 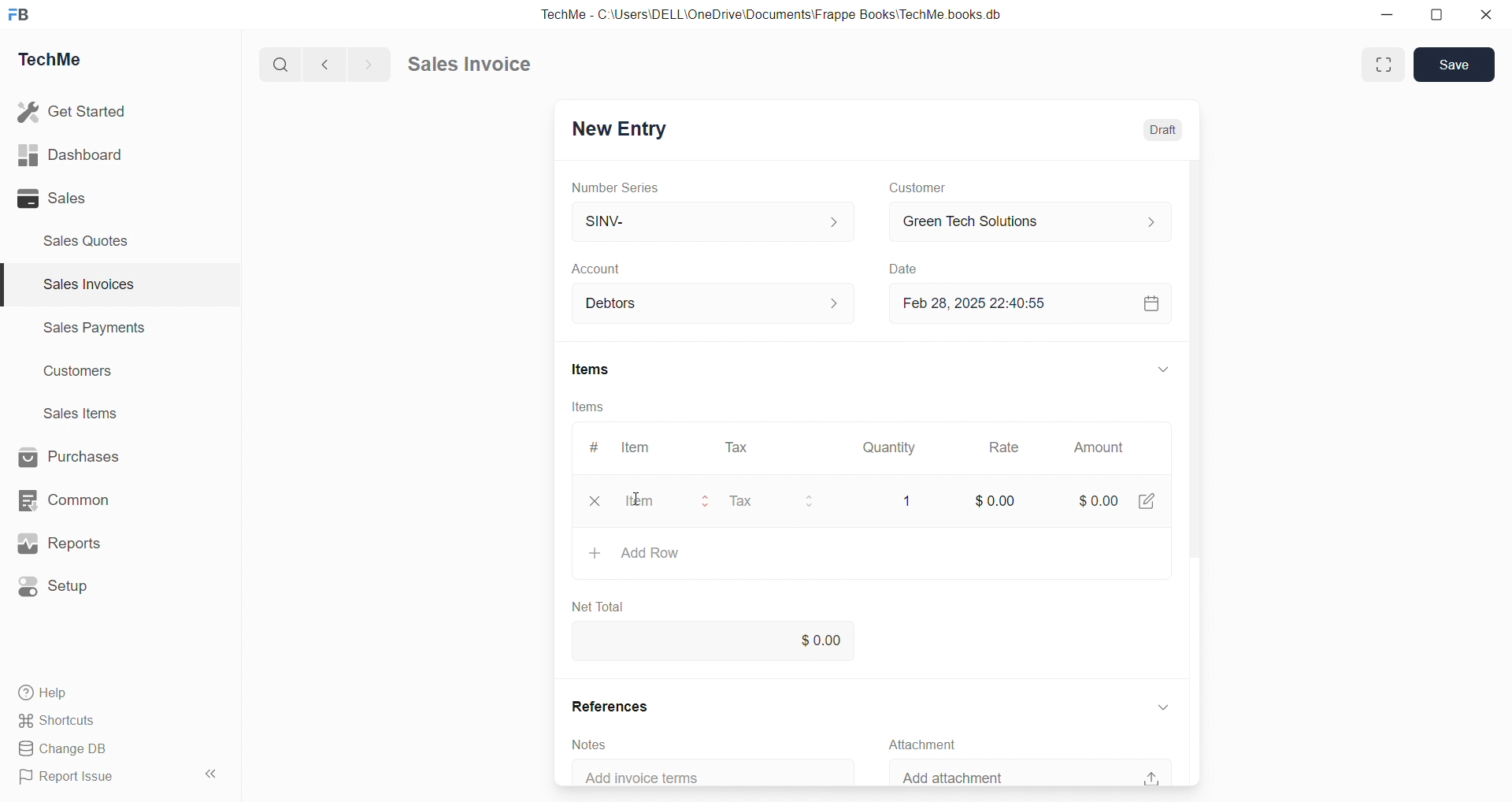 What do you see at coordinates (19, 16) in the screenshot?
I see `FB` at bounding box center [19, 16].